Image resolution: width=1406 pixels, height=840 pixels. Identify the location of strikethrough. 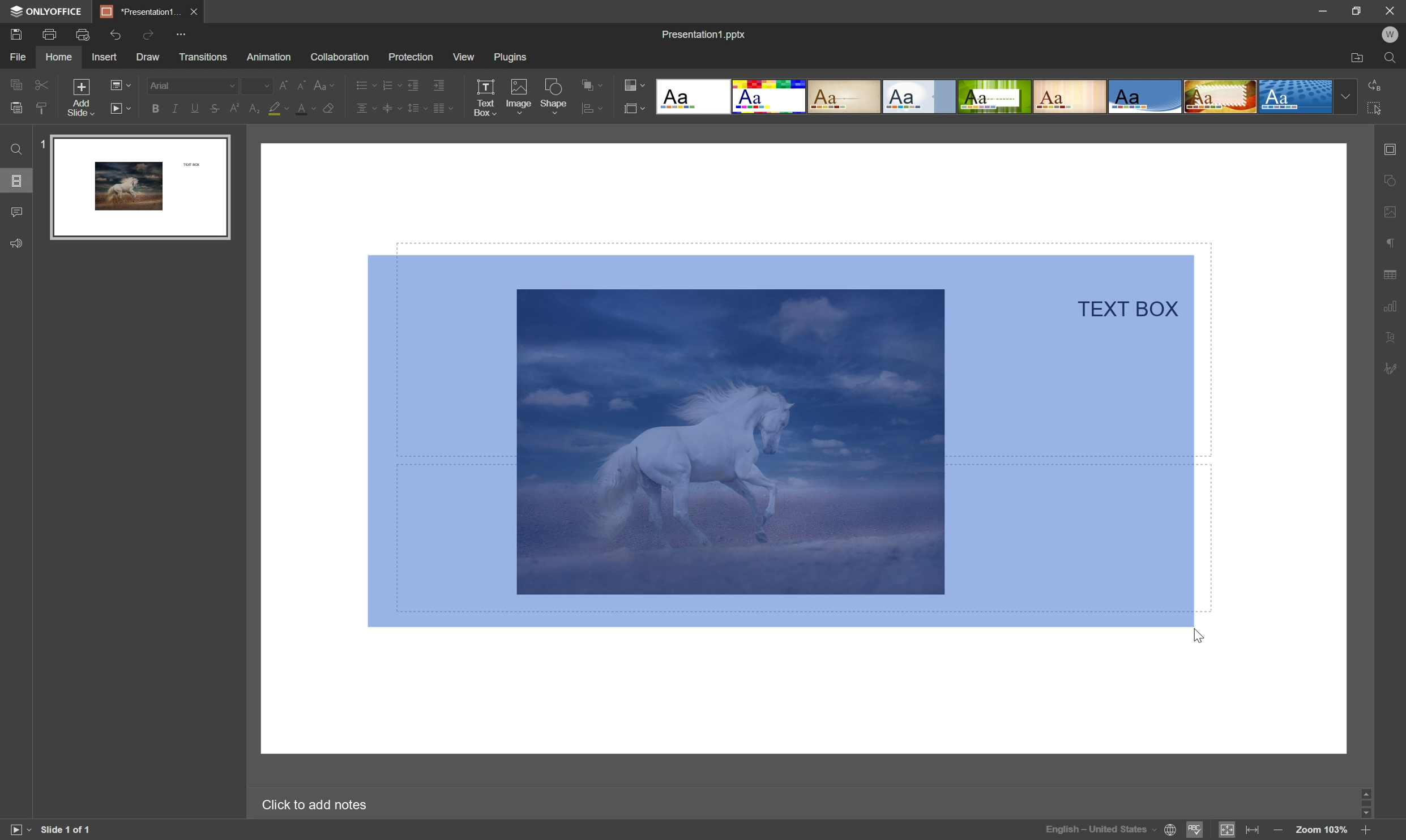
(215, 109).